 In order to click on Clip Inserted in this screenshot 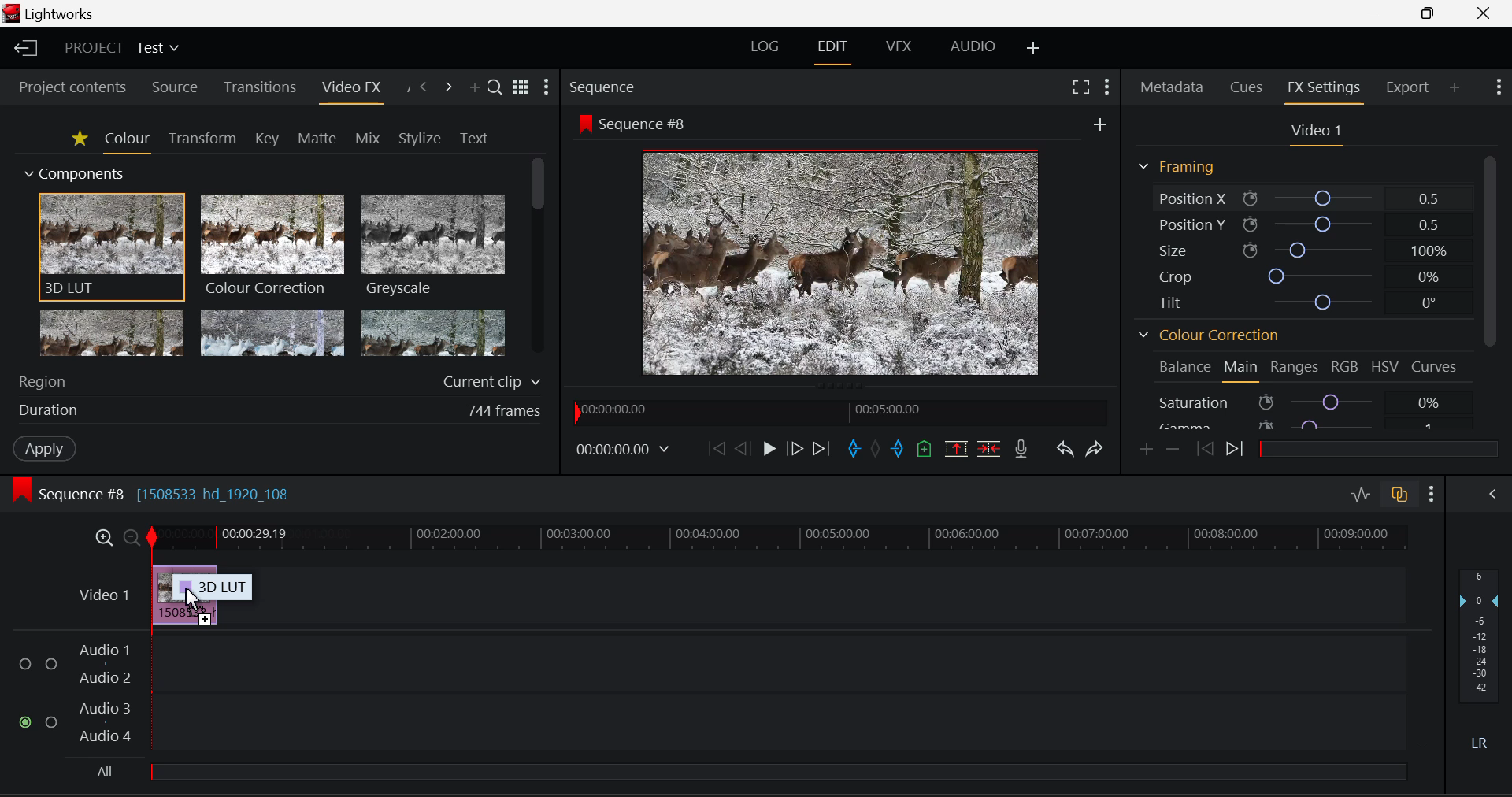, I will do `click(184, 594)`.